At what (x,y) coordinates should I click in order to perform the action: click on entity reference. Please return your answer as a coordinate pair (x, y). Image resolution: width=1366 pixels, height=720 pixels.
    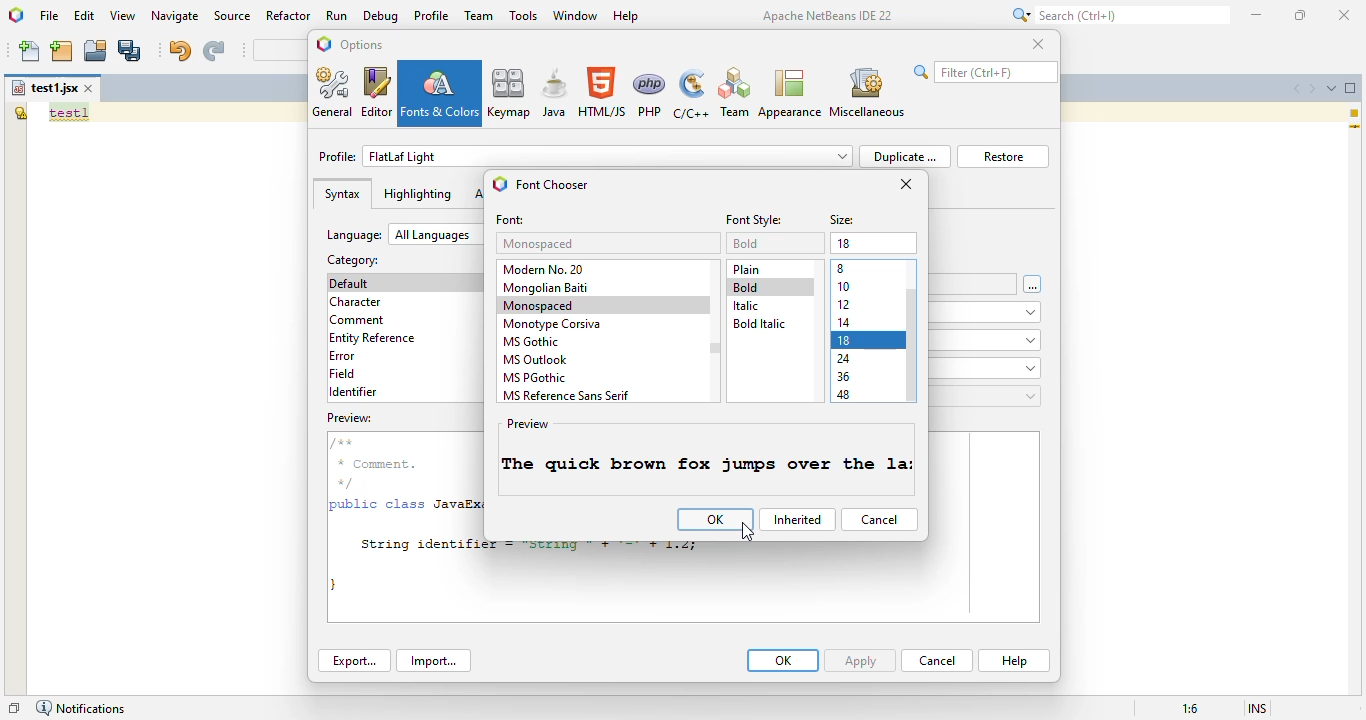
    Looking at the image, I should click on (377, 337).